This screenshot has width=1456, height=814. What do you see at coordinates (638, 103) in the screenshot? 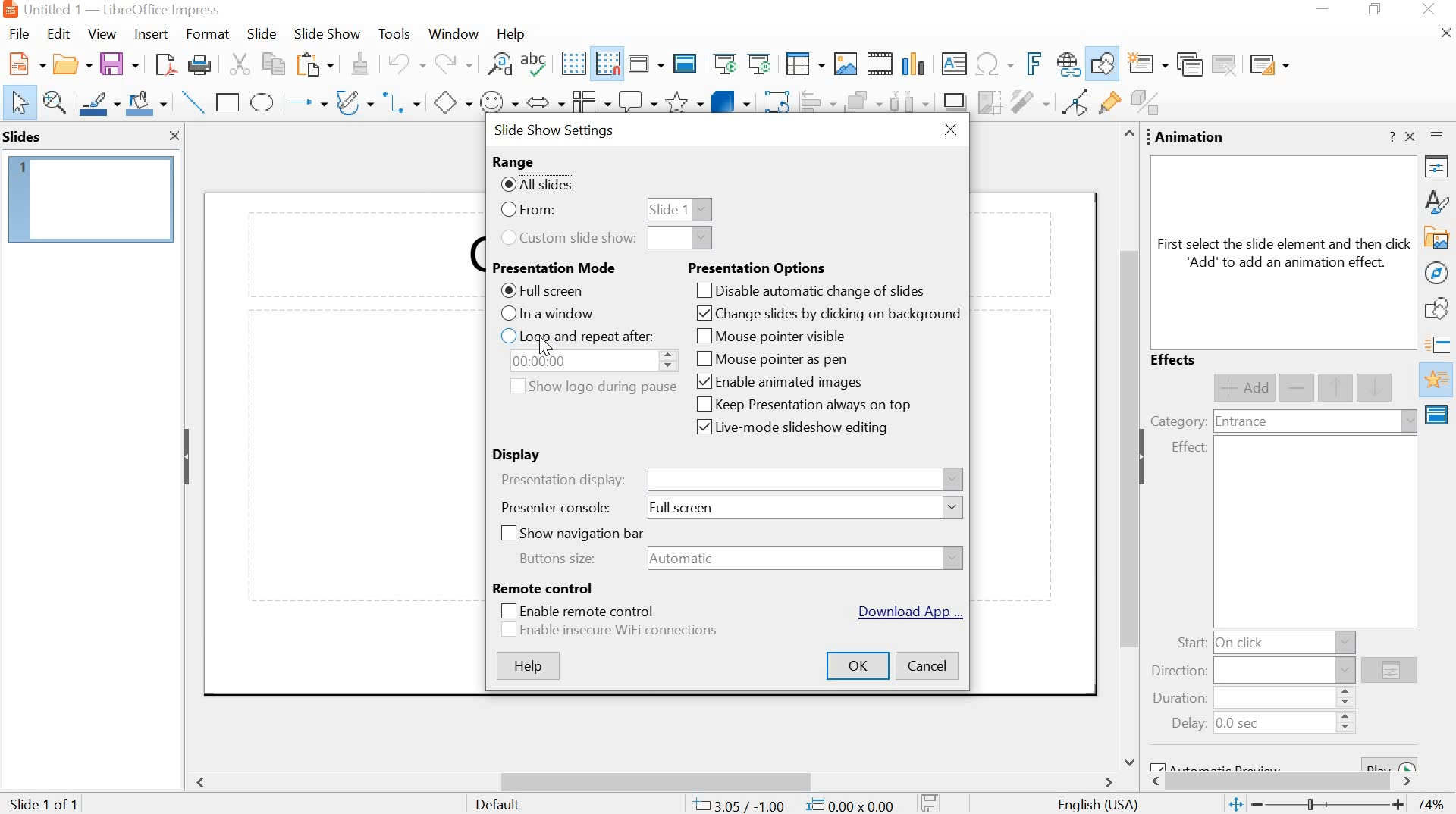
I see `callout shapes` at bounding box center [638, 103].